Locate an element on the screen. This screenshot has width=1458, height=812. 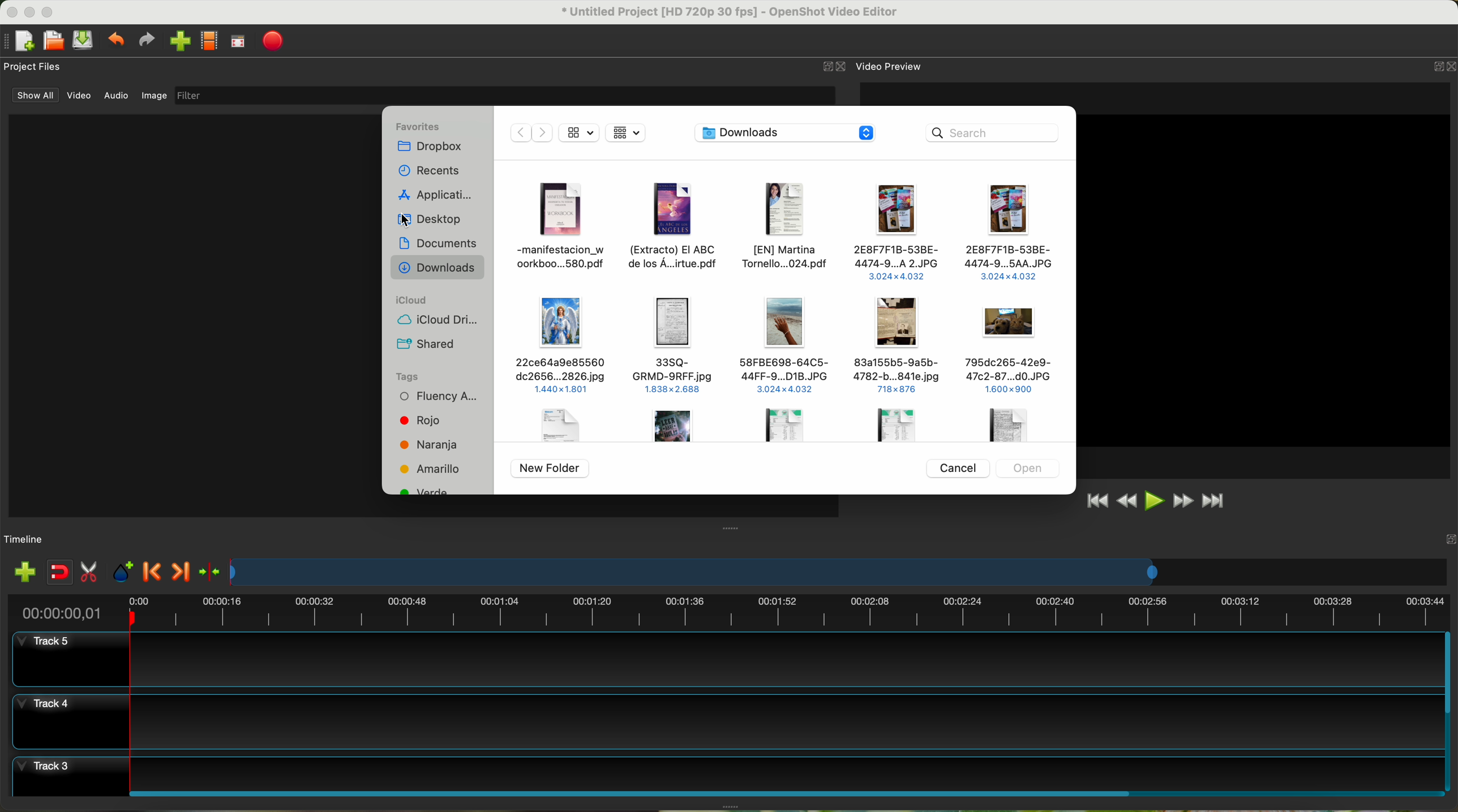
file is located at coordinates (557, 424).